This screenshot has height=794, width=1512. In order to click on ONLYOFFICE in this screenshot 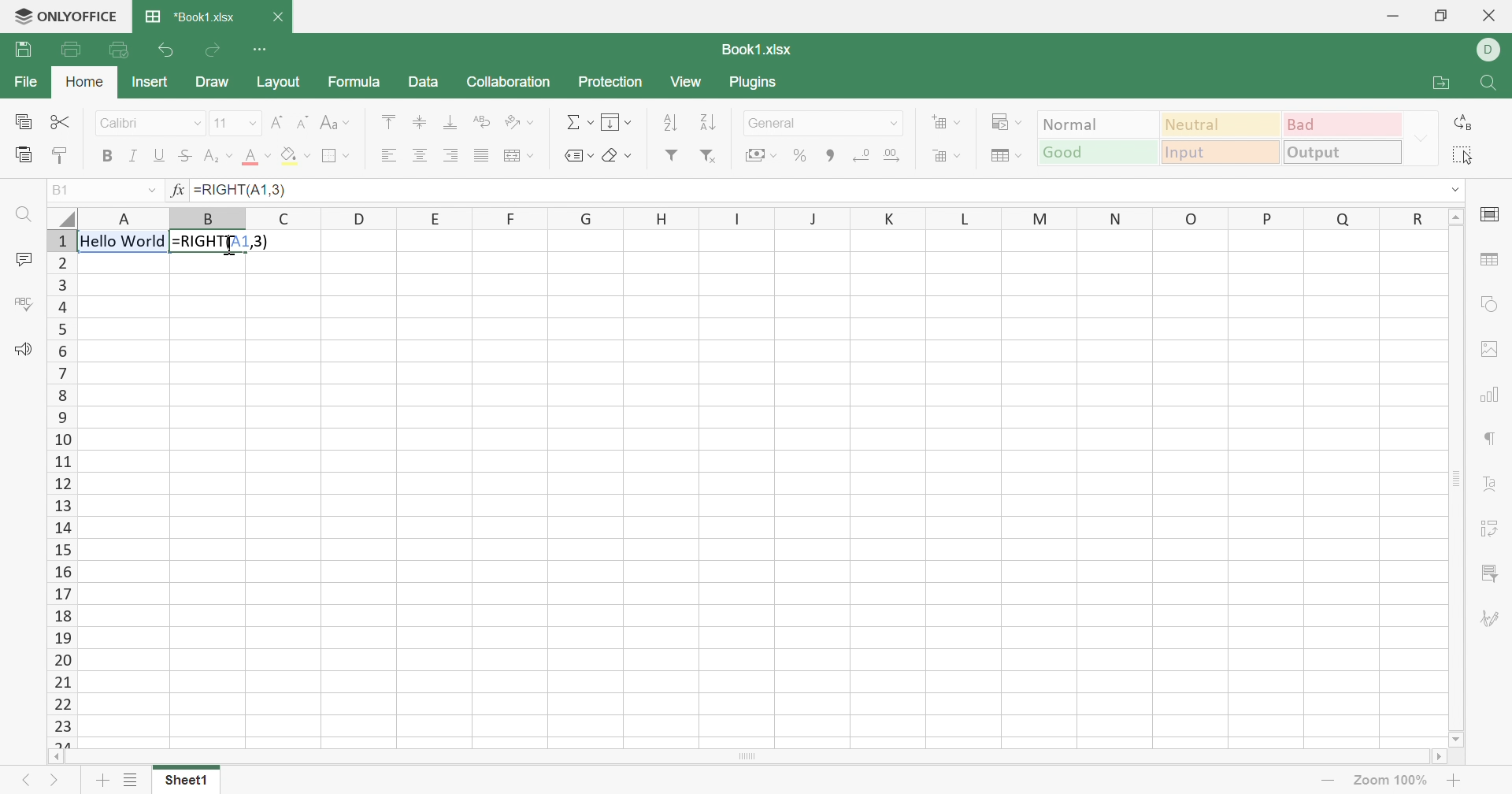, I will do `click(61, 15)`.